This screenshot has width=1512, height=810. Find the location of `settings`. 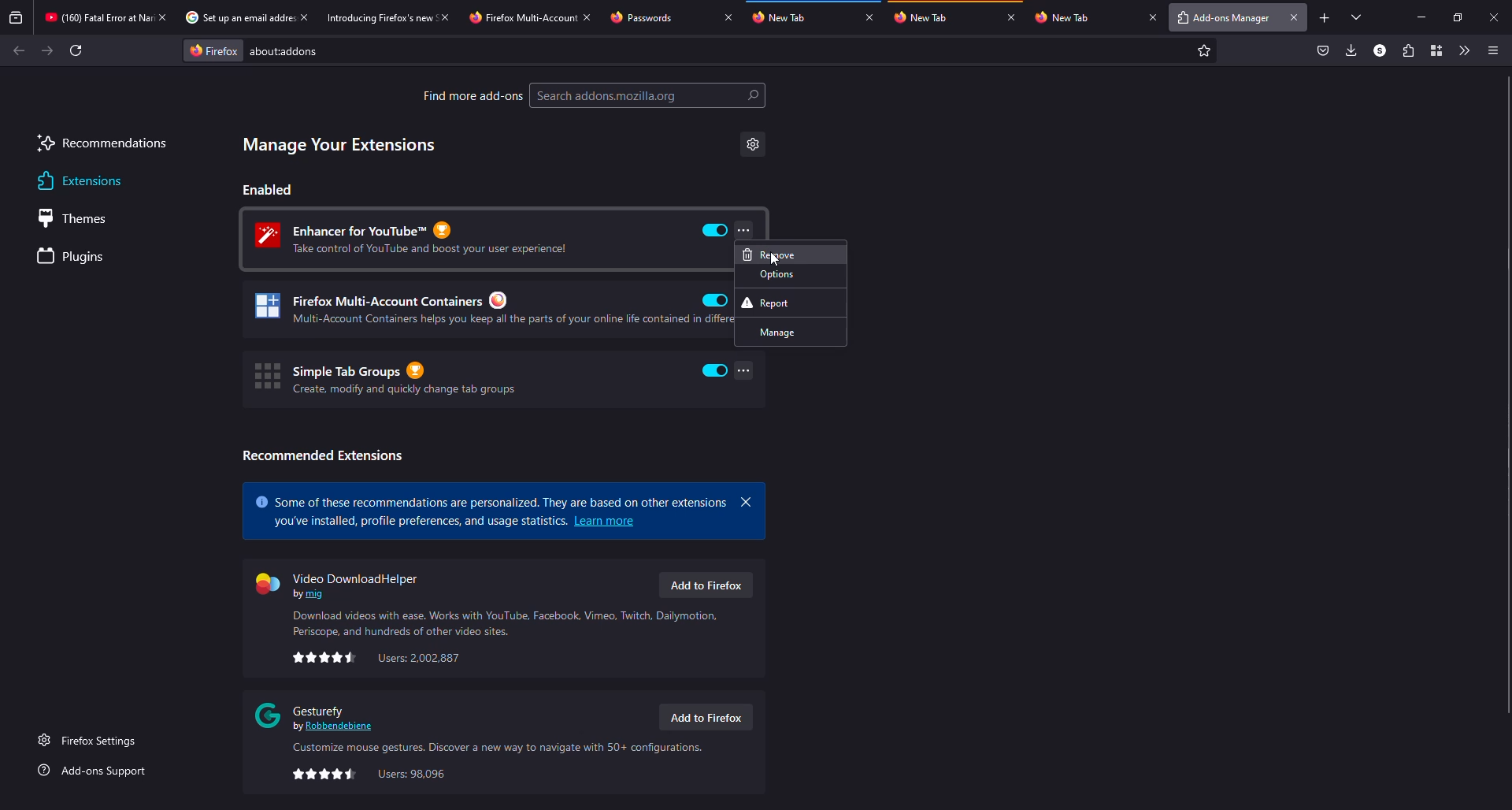

settings is located at coordinates (753, 144).